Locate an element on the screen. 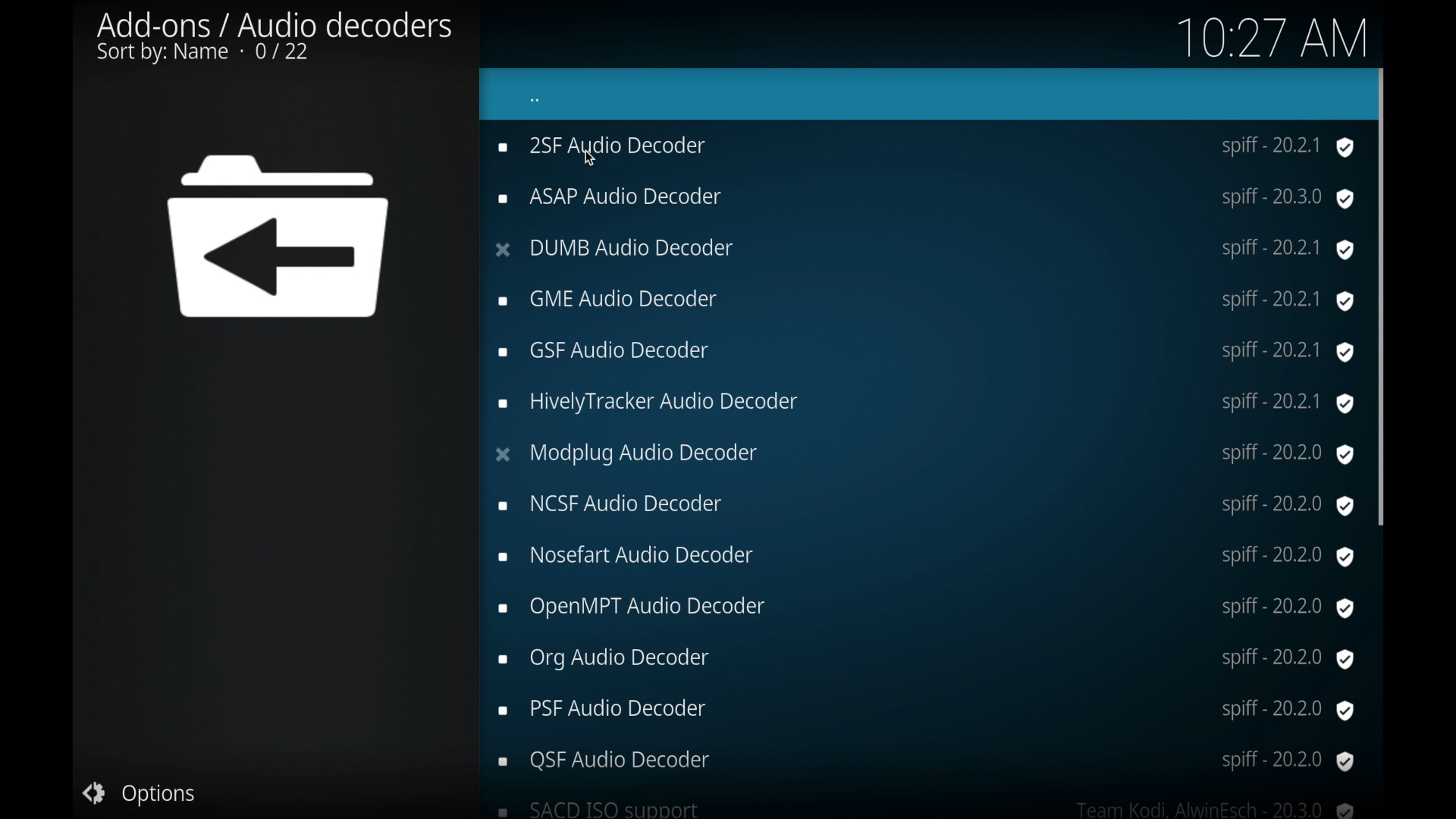 The height and width of the screenshot is (819, 1456). add-ons/ audio decoders is located at coordinates (275, 38).